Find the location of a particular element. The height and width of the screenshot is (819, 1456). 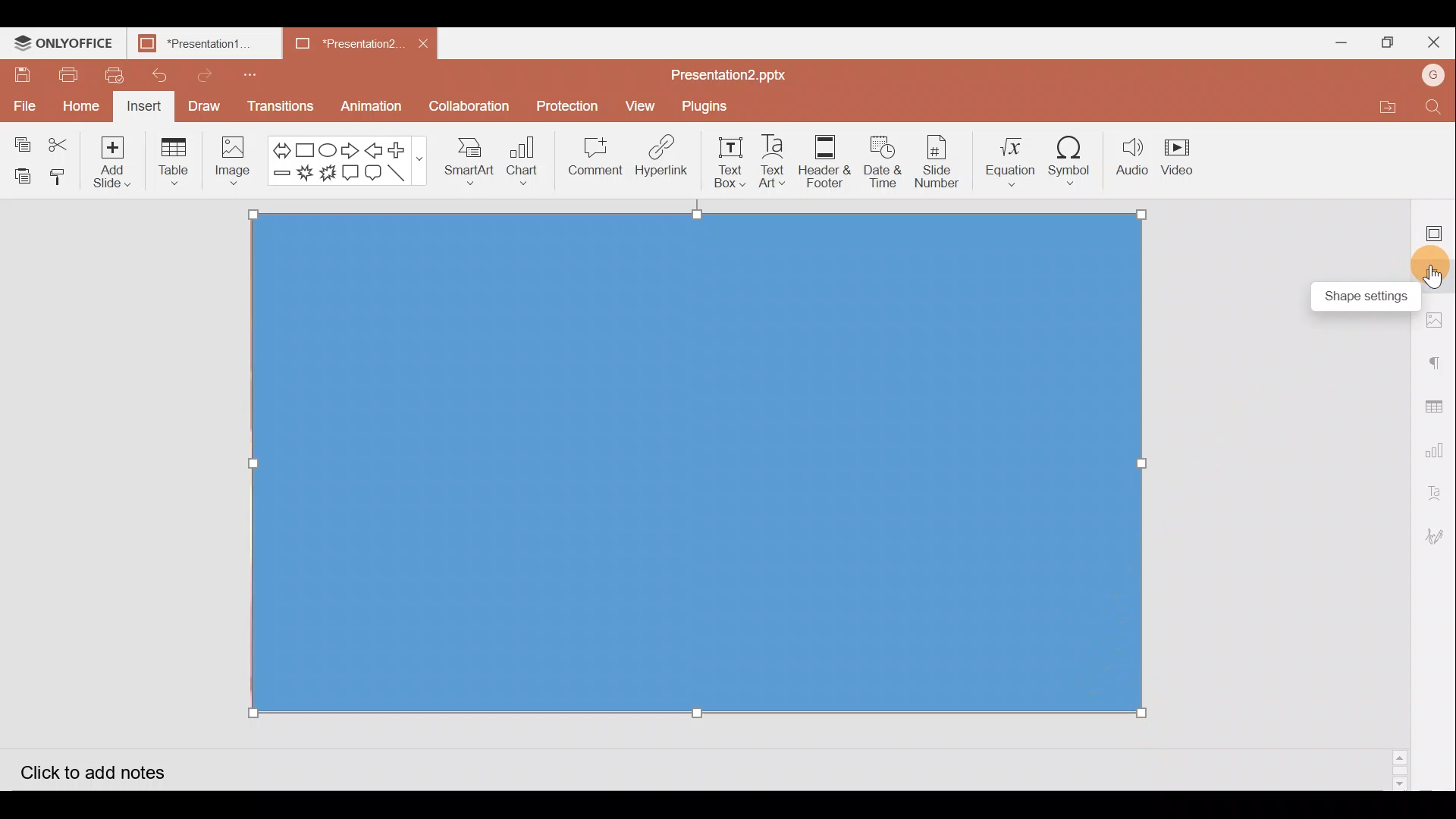

Left right arrow is located at coordinates (281, 146).